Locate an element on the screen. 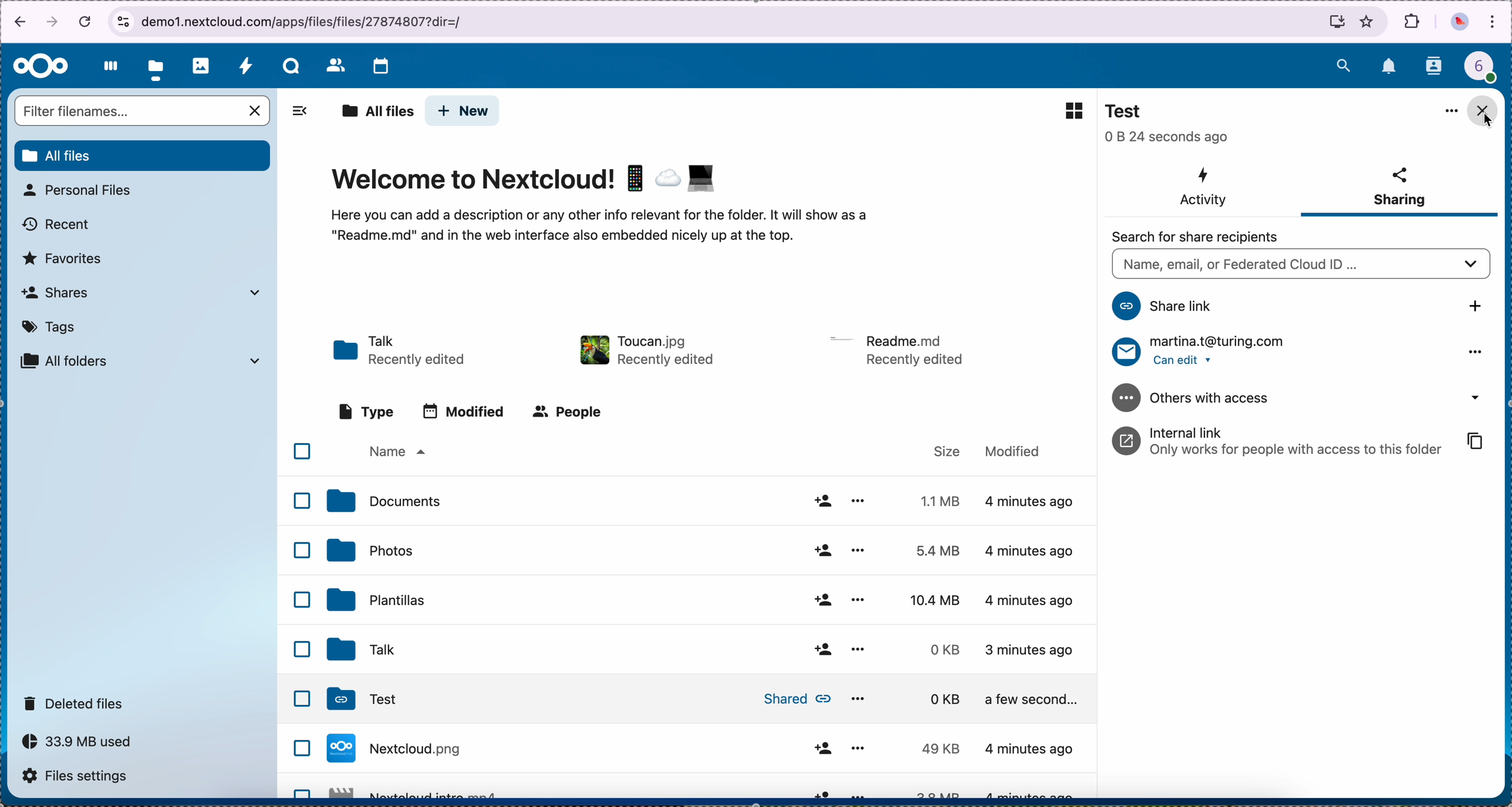 The width and height of the screenshot is (1512, 807). favorites is located at coordinates (1368, 21).